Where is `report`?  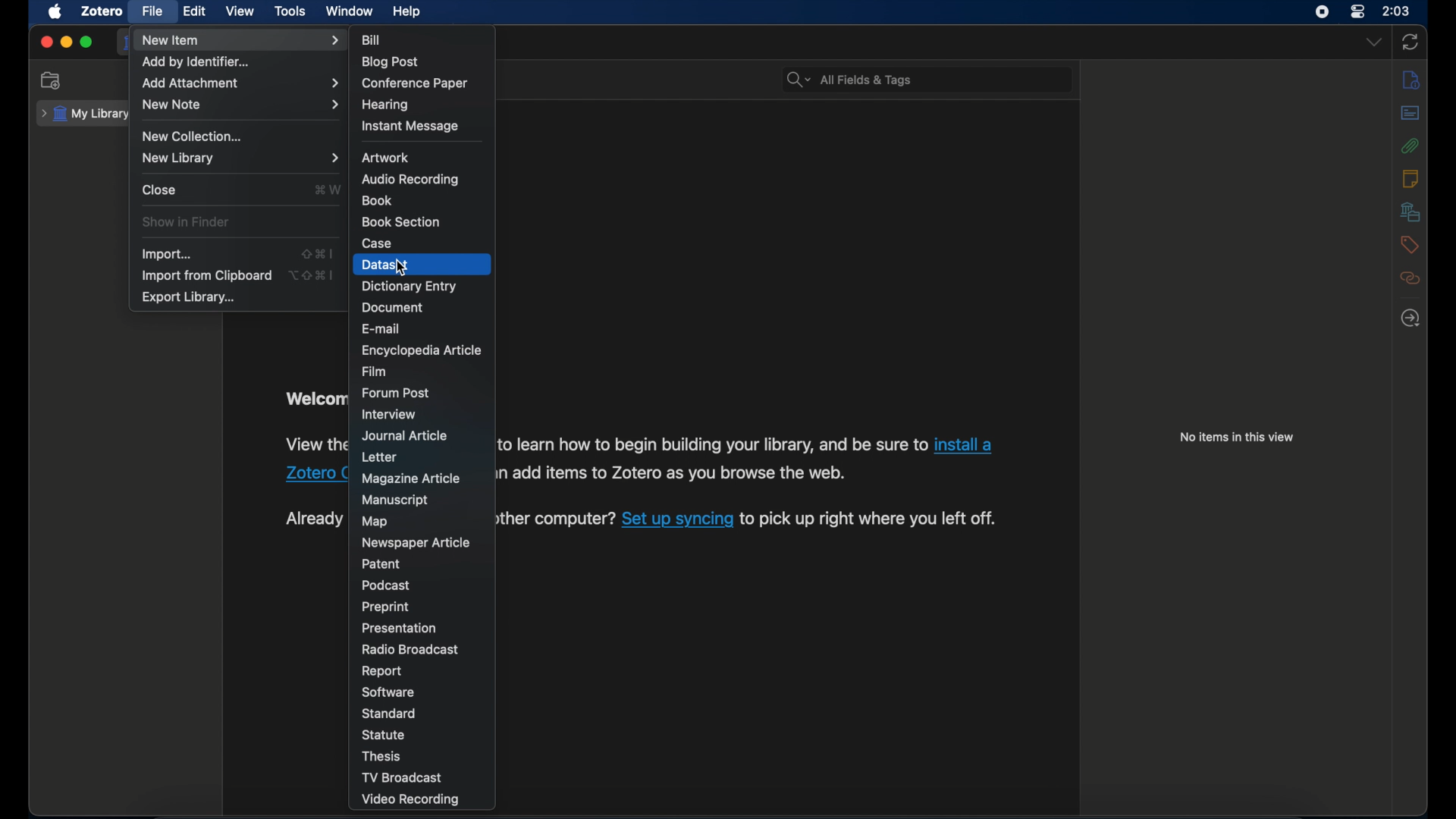 report is located at coordinates (381, 671).